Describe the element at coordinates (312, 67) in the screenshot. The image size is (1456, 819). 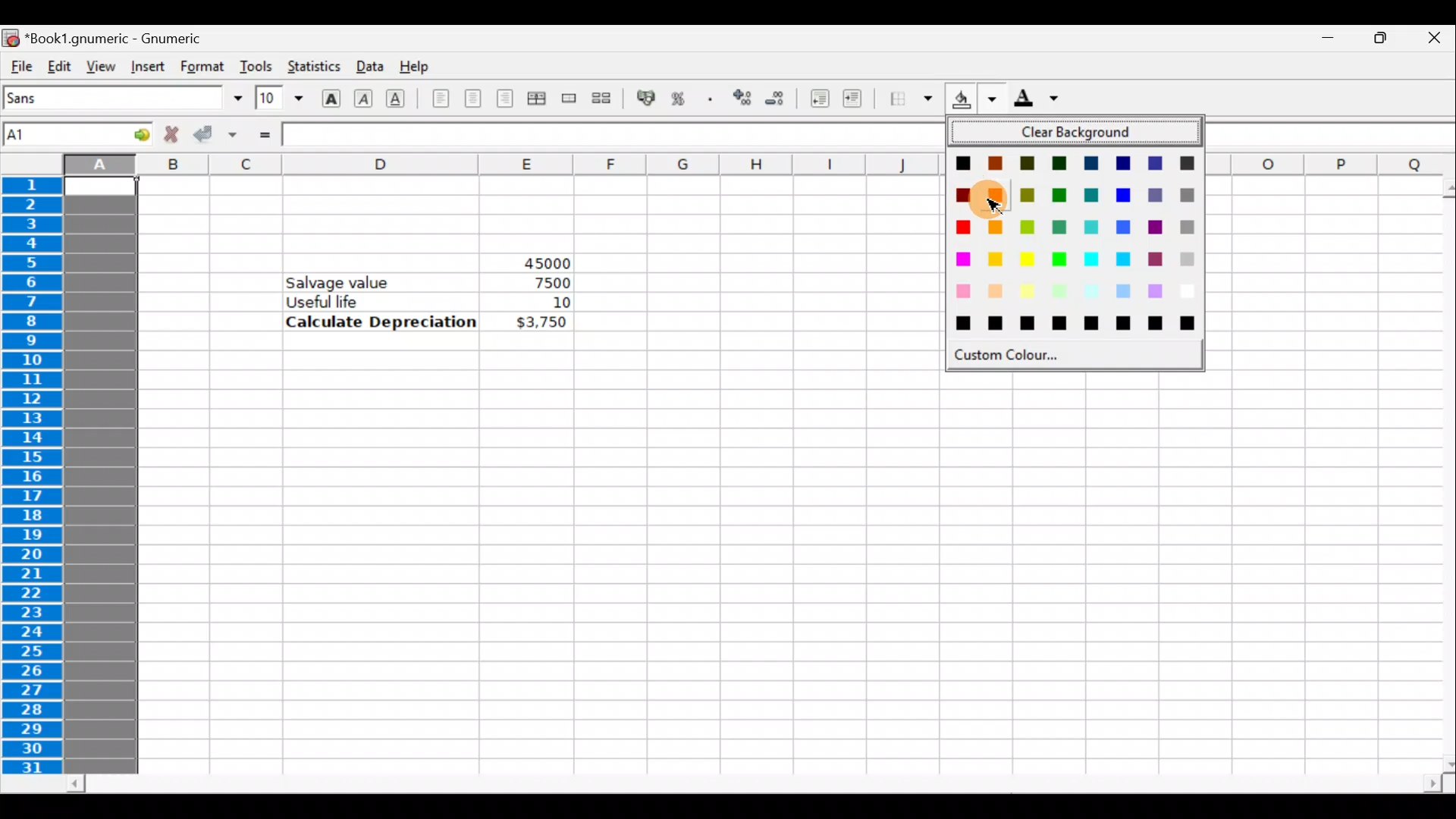
I see `Statistics` at that location.